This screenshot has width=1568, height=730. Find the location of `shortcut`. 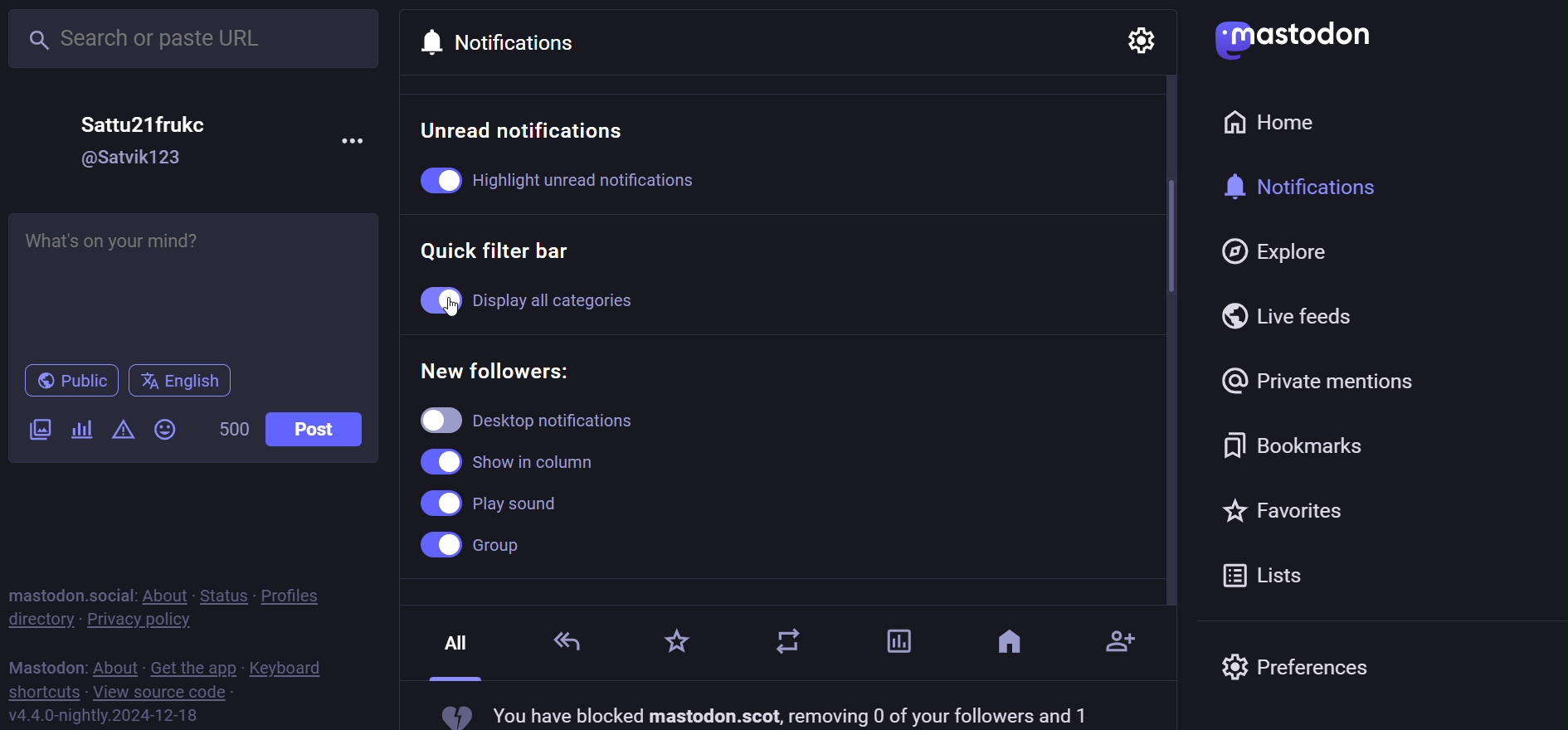

shortcut is located at coordinates (42, 691).